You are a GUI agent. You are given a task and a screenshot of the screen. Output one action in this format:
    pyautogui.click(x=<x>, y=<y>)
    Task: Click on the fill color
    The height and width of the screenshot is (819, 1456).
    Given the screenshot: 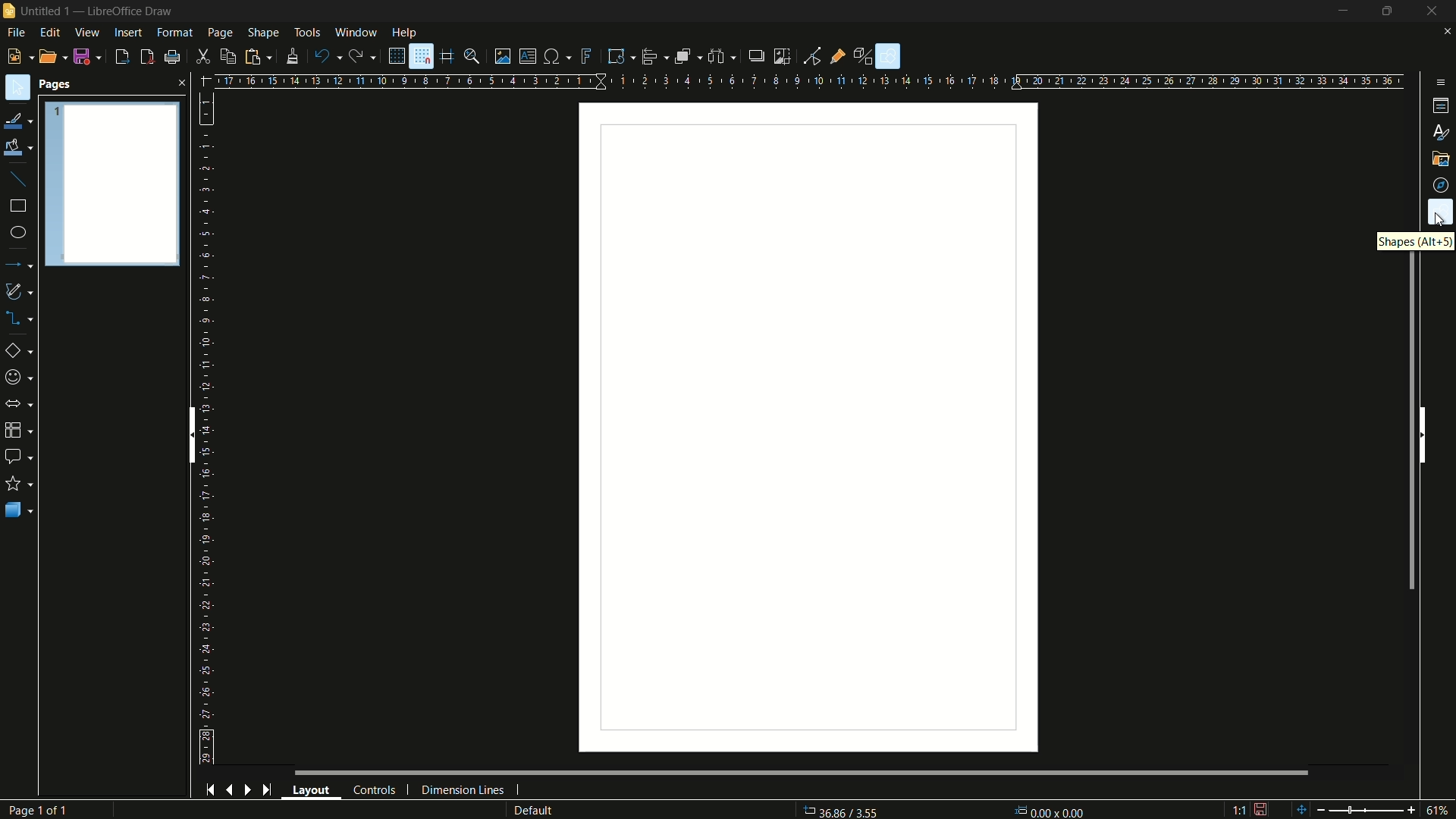 What is the action you would take?
    pyautogui.click(x=17, y=148)
    